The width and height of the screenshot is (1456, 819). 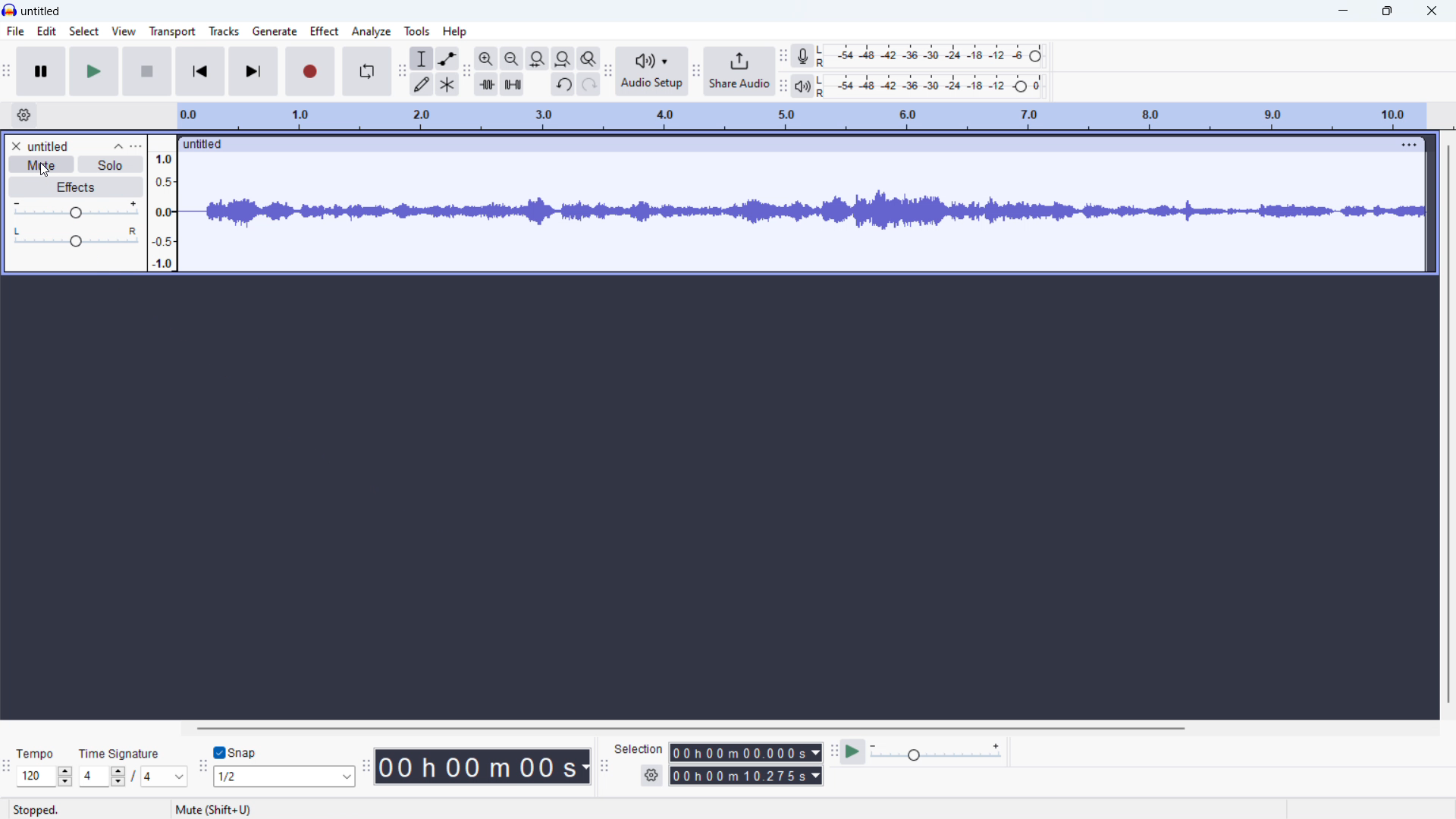 I want to click on gain, so click(x=76, y=210).